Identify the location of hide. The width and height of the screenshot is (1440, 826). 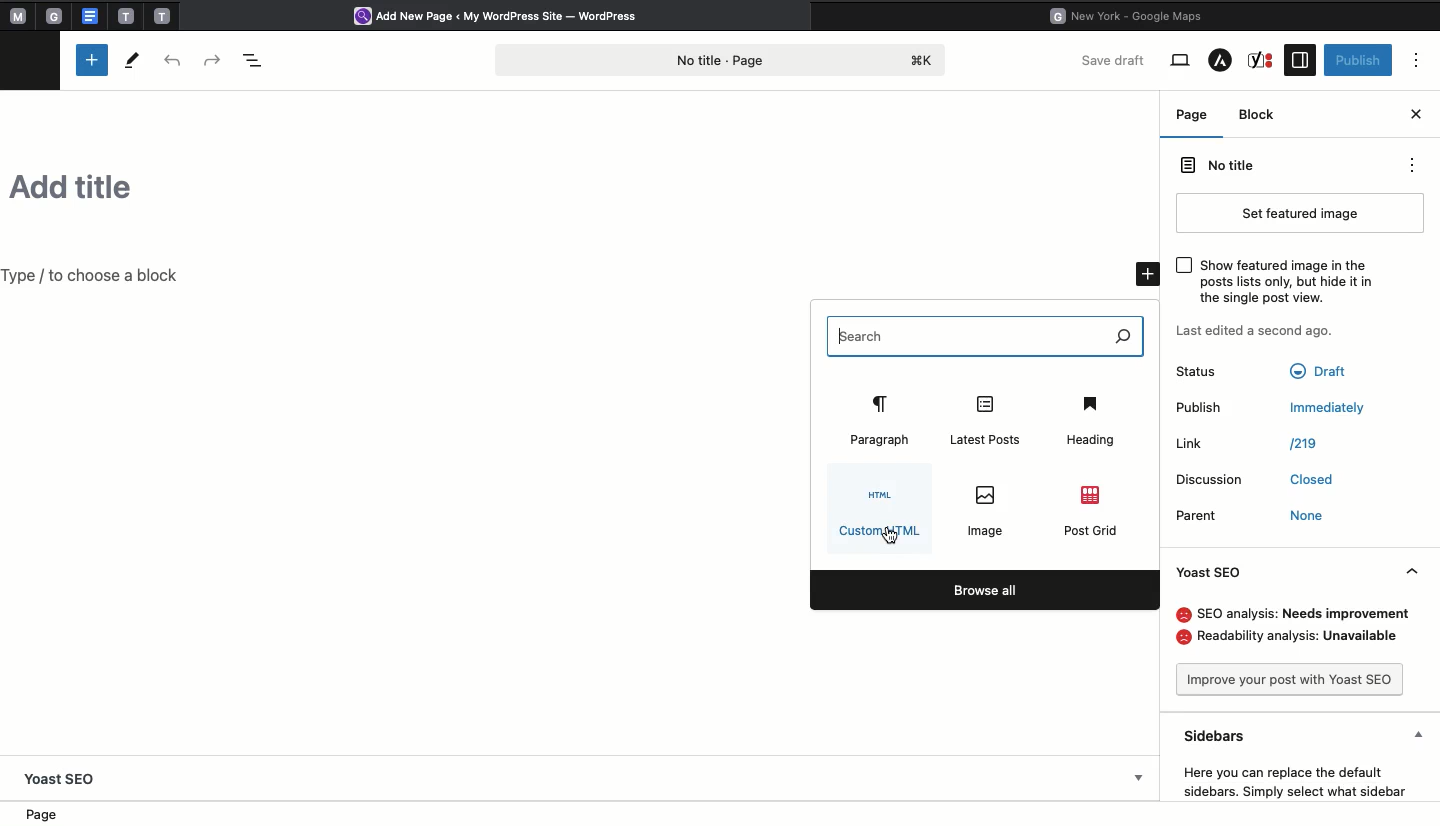
(1420, 570).